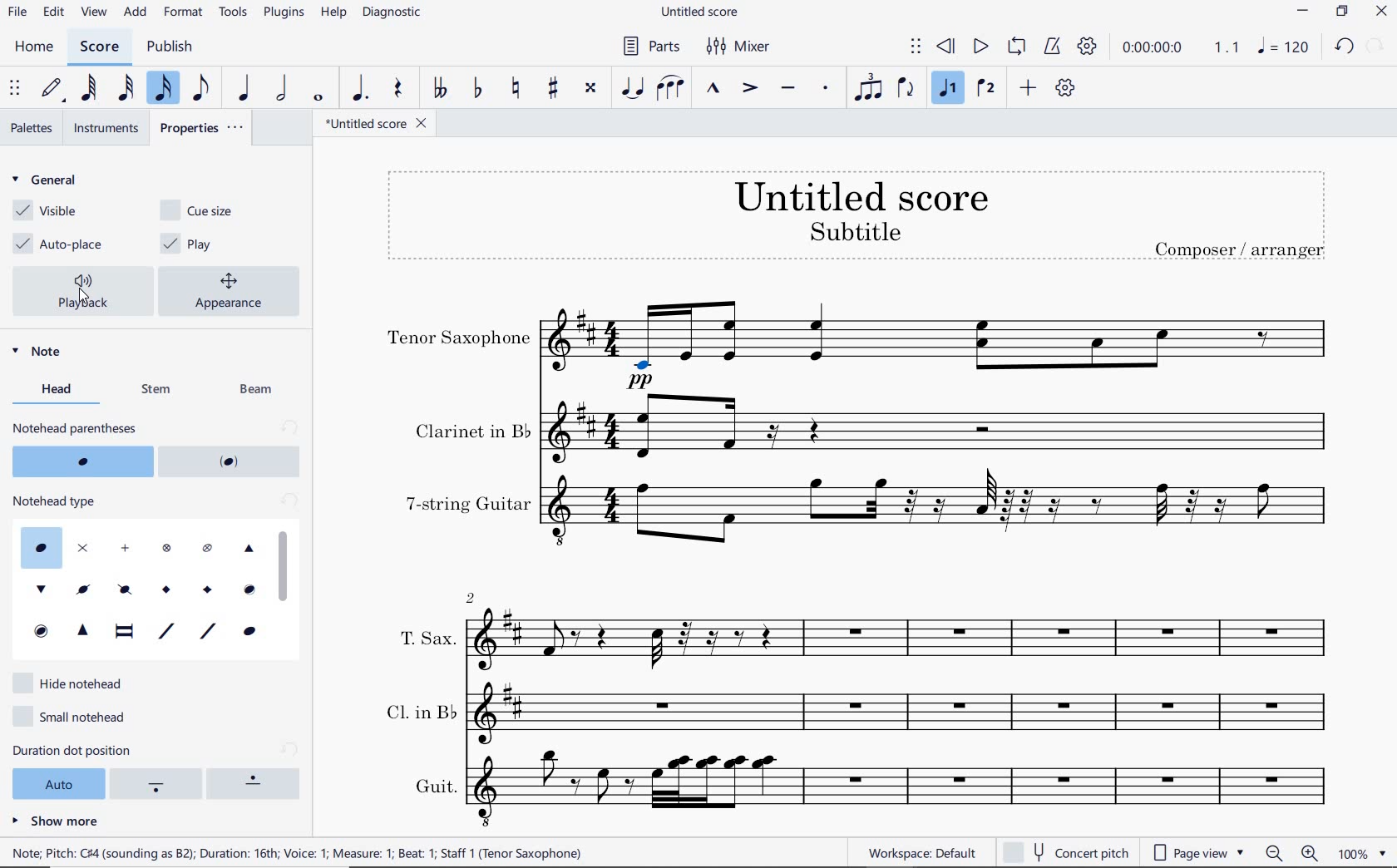 Image resolution: width=1397 pixels, height=868 pixels. I want to click on cue size, so click(207, 209).